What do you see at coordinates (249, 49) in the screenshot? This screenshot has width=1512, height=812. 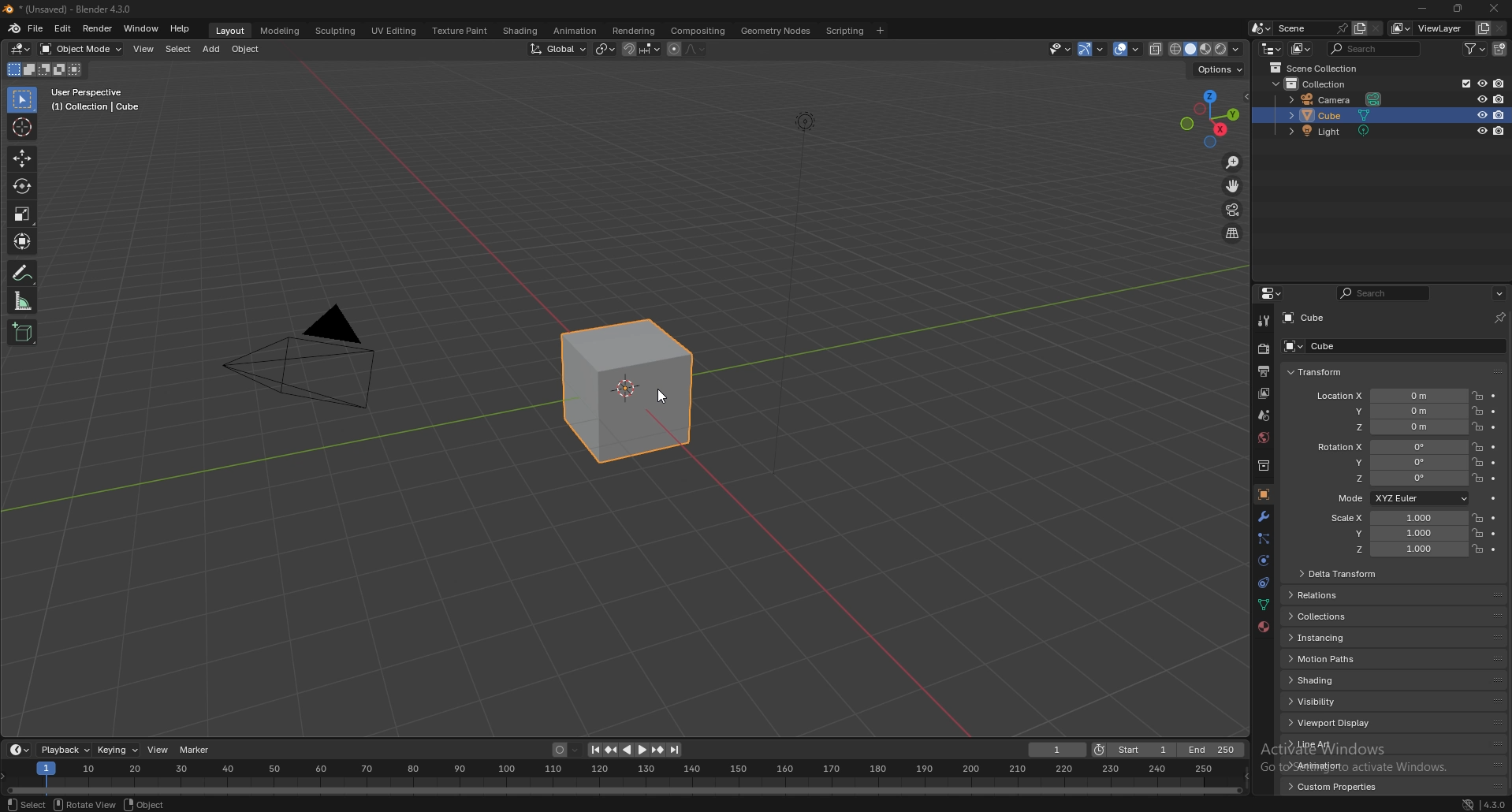 I see `object` at bounding box center [249, 49].